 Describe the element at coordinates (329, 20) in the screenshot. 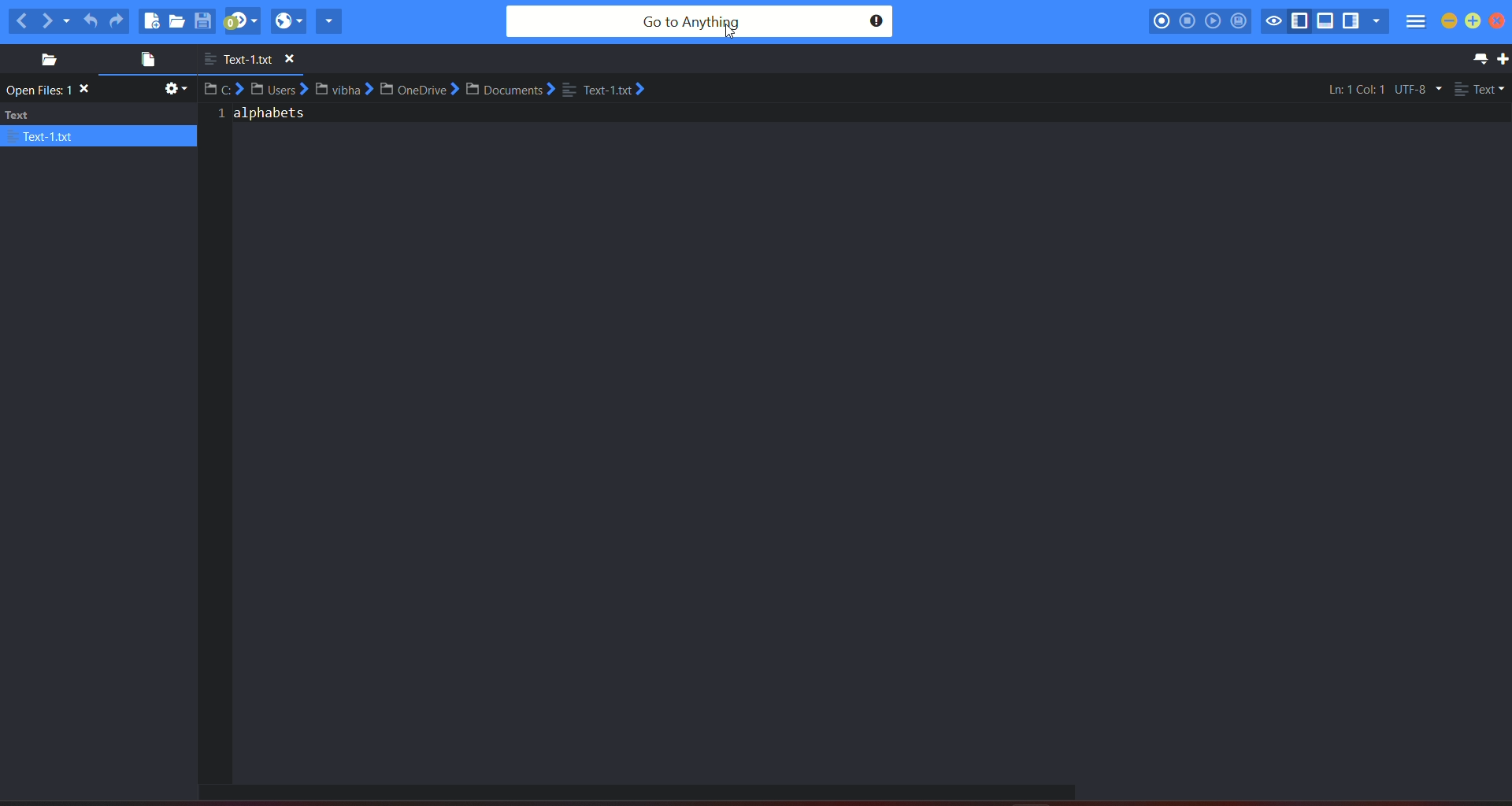

I see `share current file` at that location.